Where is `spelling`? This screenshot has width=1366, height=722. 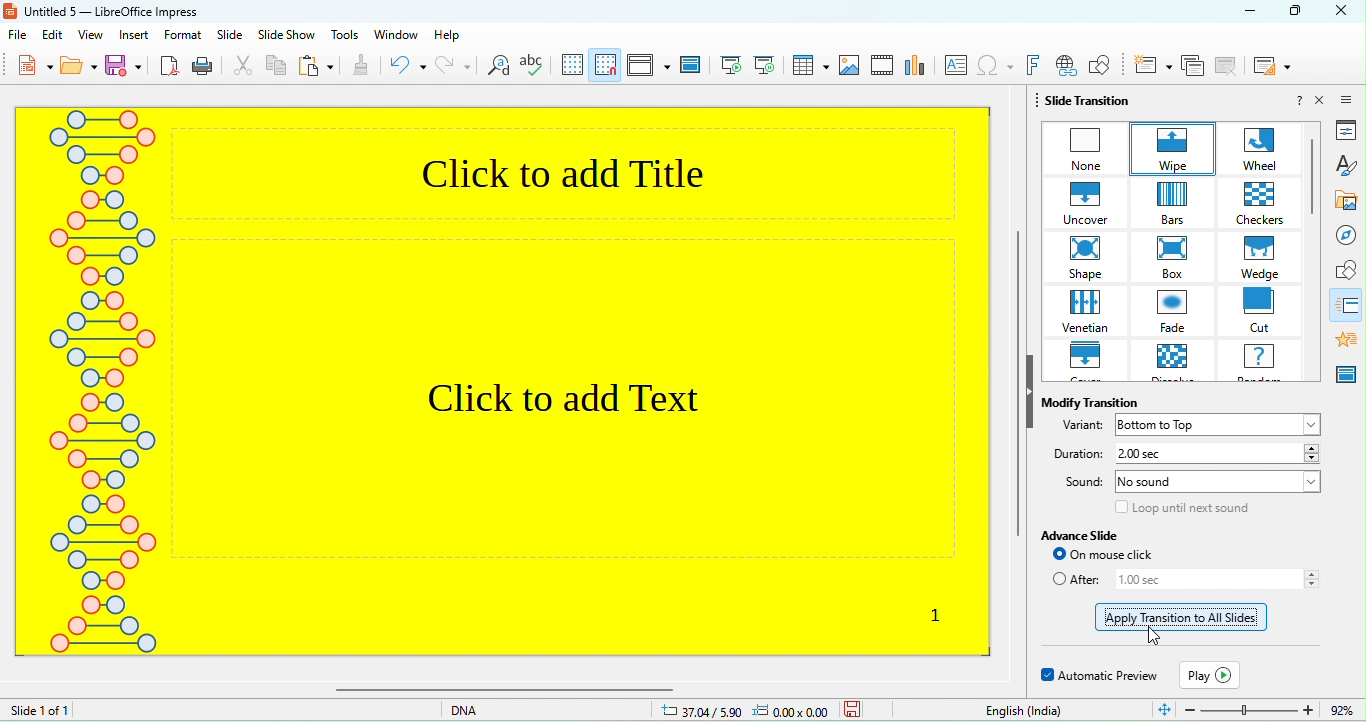 spelling is located at coordinates (534, 69).